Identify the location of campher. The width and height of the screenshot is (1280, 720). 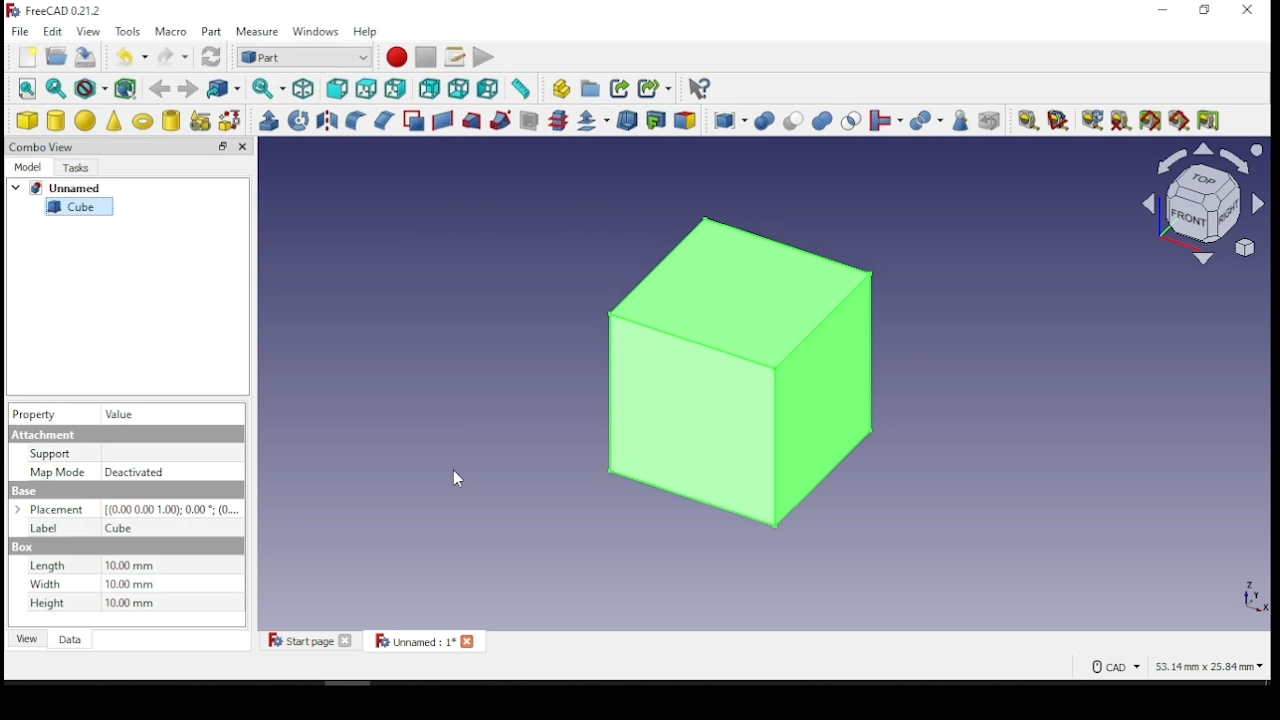
(383, 119).